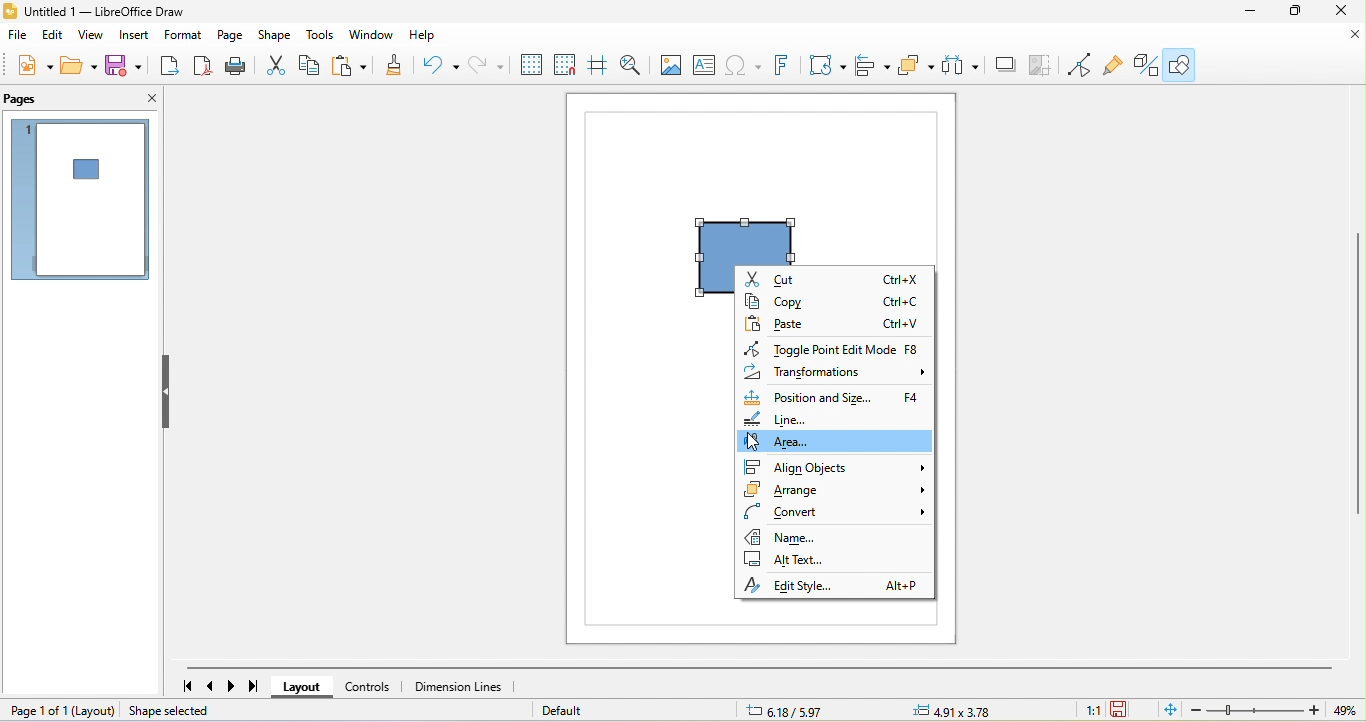 The width and height of the screenshot is (1366, 722). What do you see at coordinates (127, 65) in the screenshot?
I see `save` at bounding box center [127, 65].